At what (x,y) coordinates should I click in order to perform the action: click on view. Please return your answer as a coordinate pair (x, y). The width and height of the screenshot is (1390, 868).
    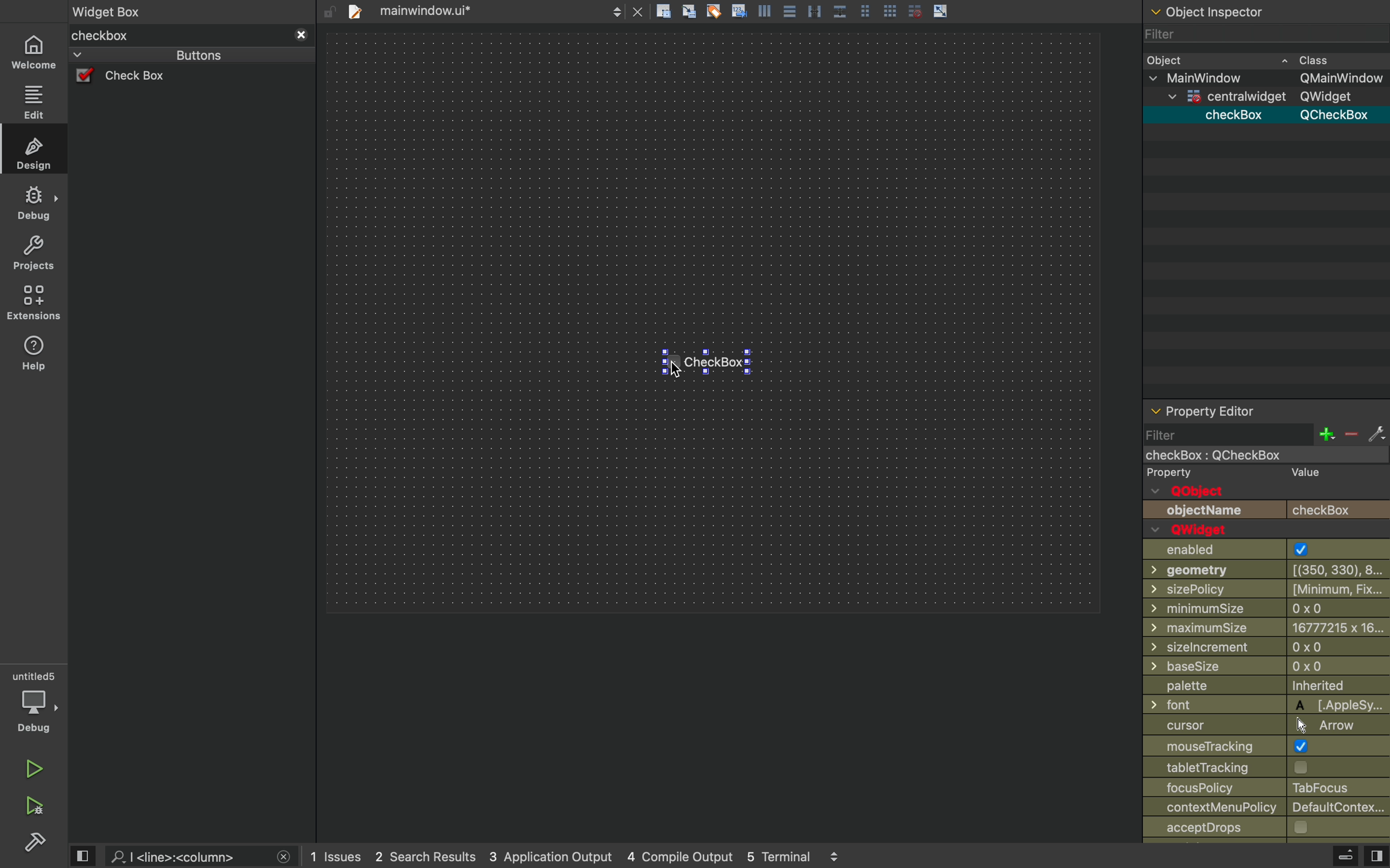
    Looking at the image, I should click on (84, 855).